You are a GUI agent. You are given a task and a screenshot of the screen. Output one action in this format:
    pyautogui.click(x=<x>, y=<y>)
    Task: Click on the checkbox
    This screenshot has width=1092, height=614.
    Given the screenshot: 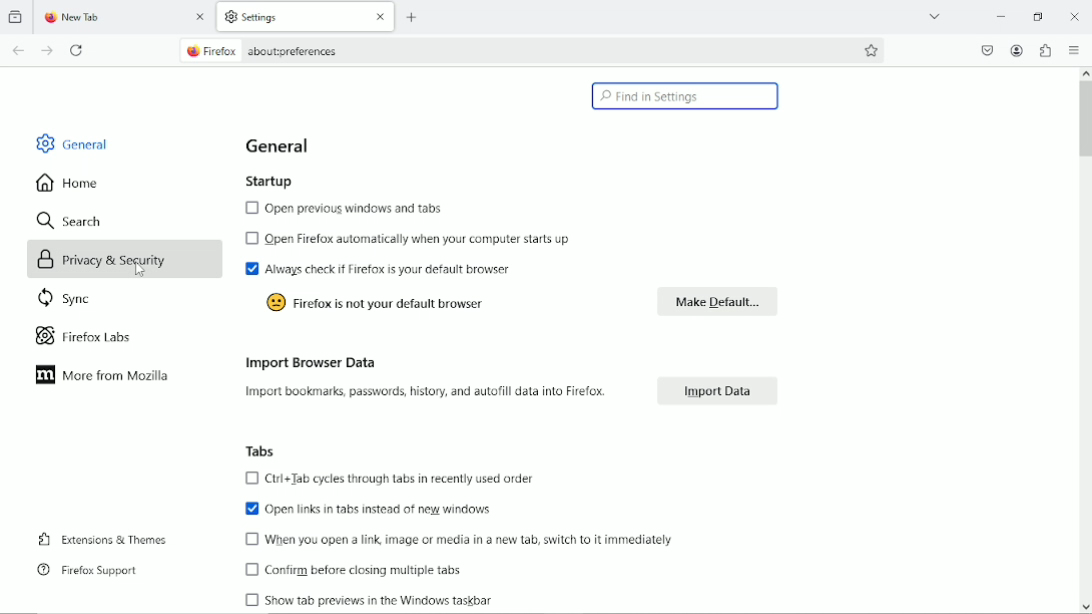 What is the action you would take?
    pyautogui.click(x=252, y=537)
    